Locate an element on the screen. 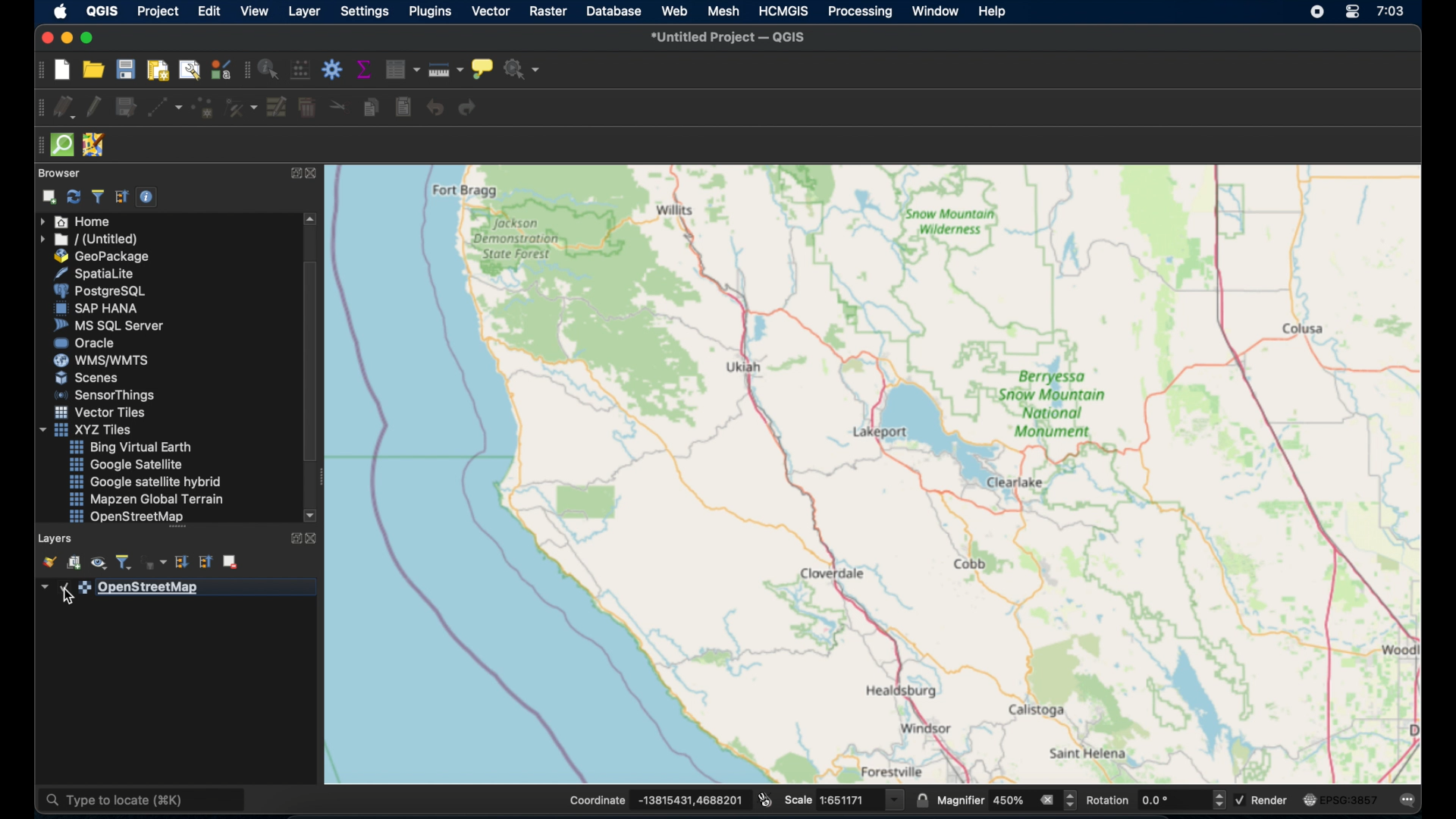  filter browser is located at coordinates (96, 197).